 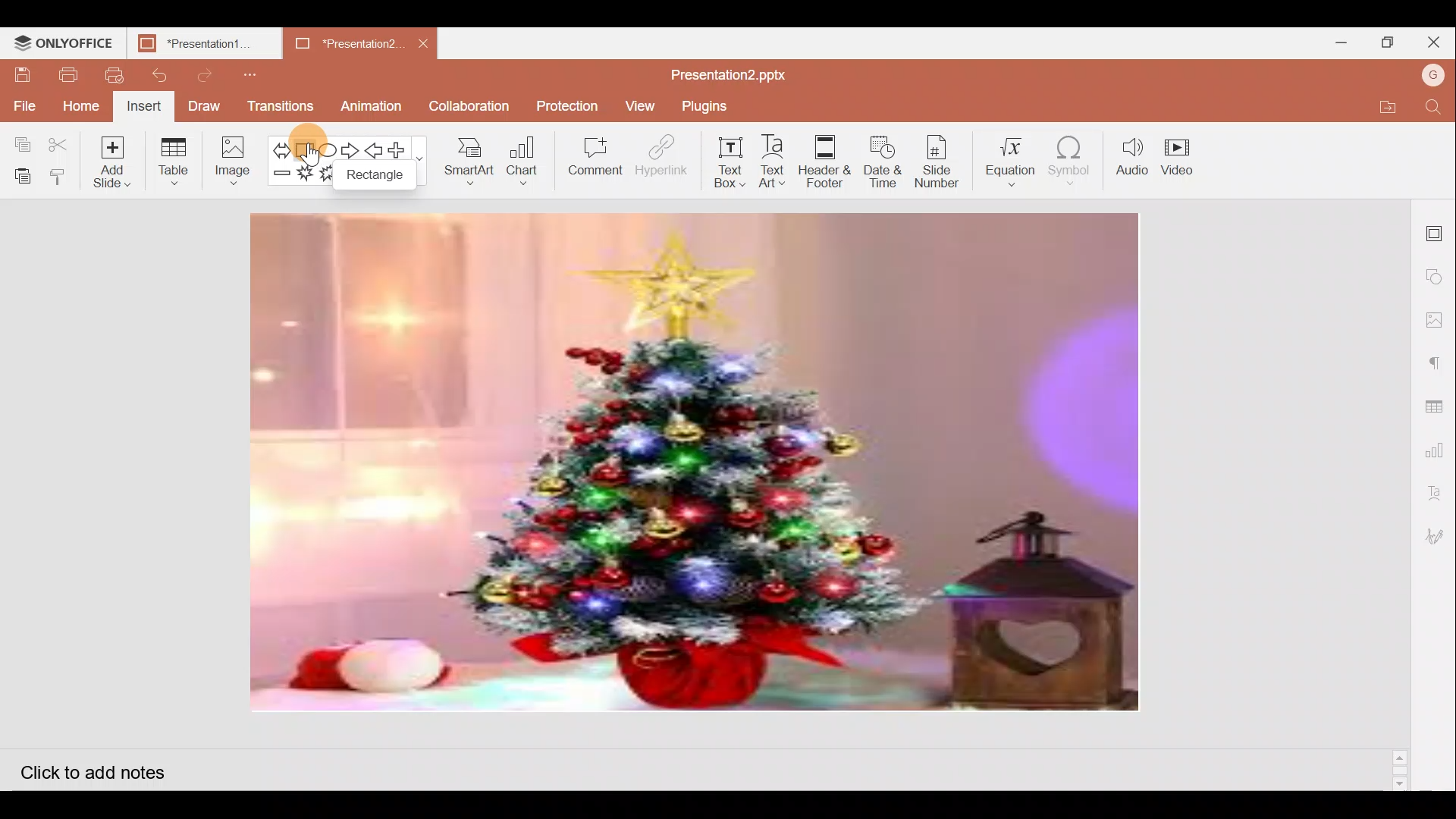 I want to click on Scroll bar, so click(x=1401, y=494).